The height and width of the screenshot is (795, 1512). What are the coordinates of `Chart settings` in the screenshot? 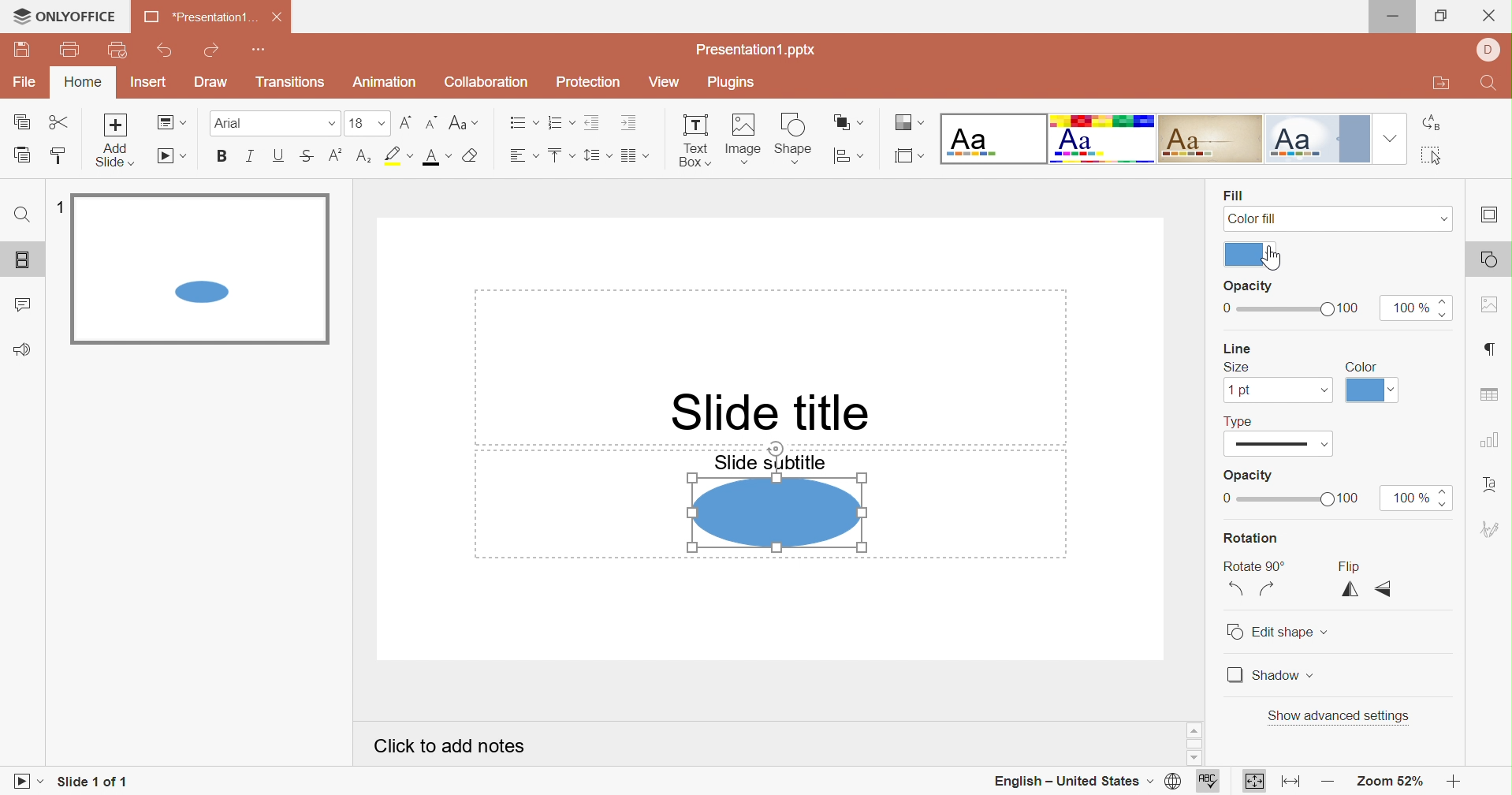 It's located at (1488, 439).